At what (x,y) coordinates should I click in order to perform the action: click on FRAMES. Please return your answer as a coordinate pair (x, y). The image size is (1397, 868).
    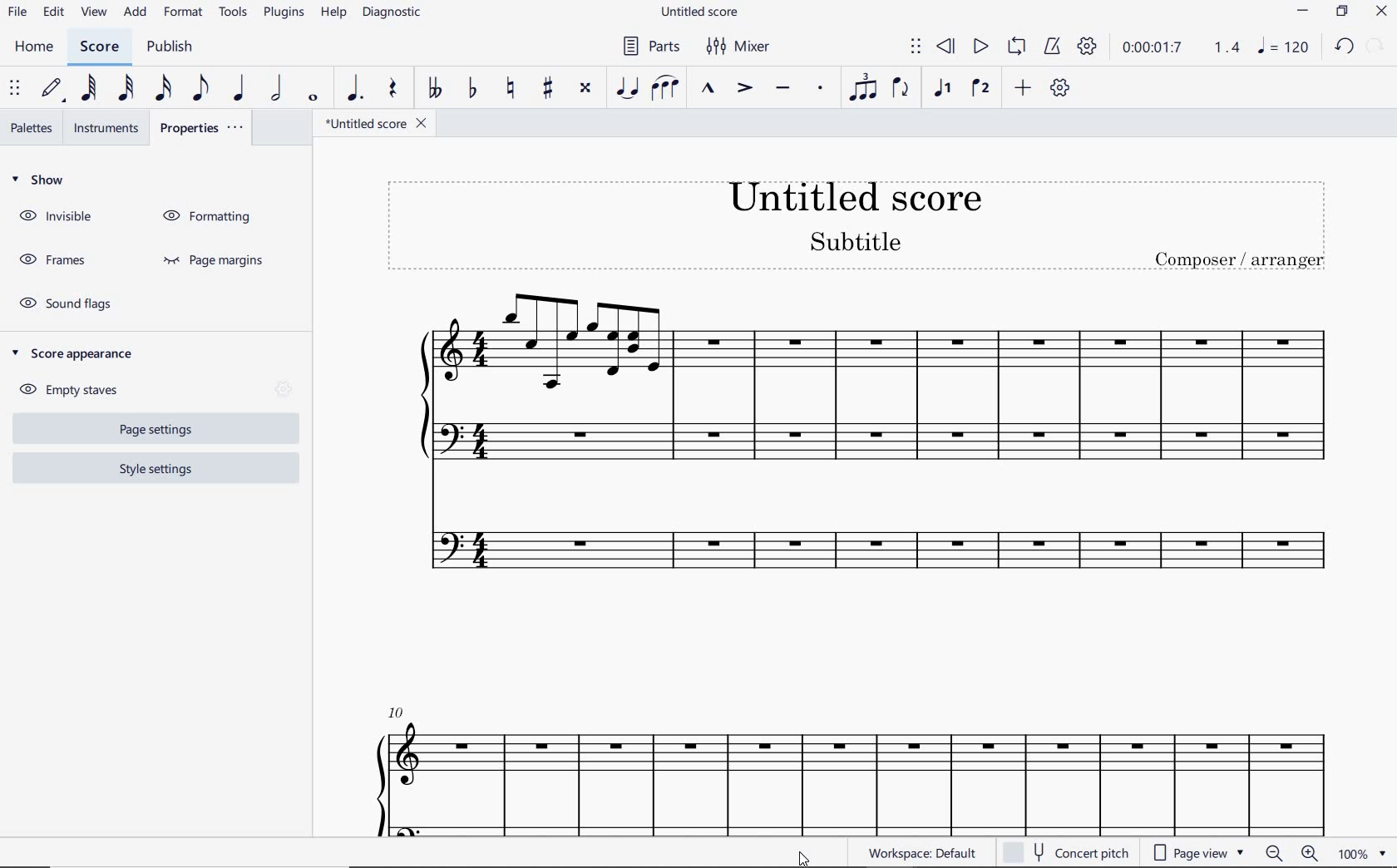
    Looking at the image, I should click on (52, 258).